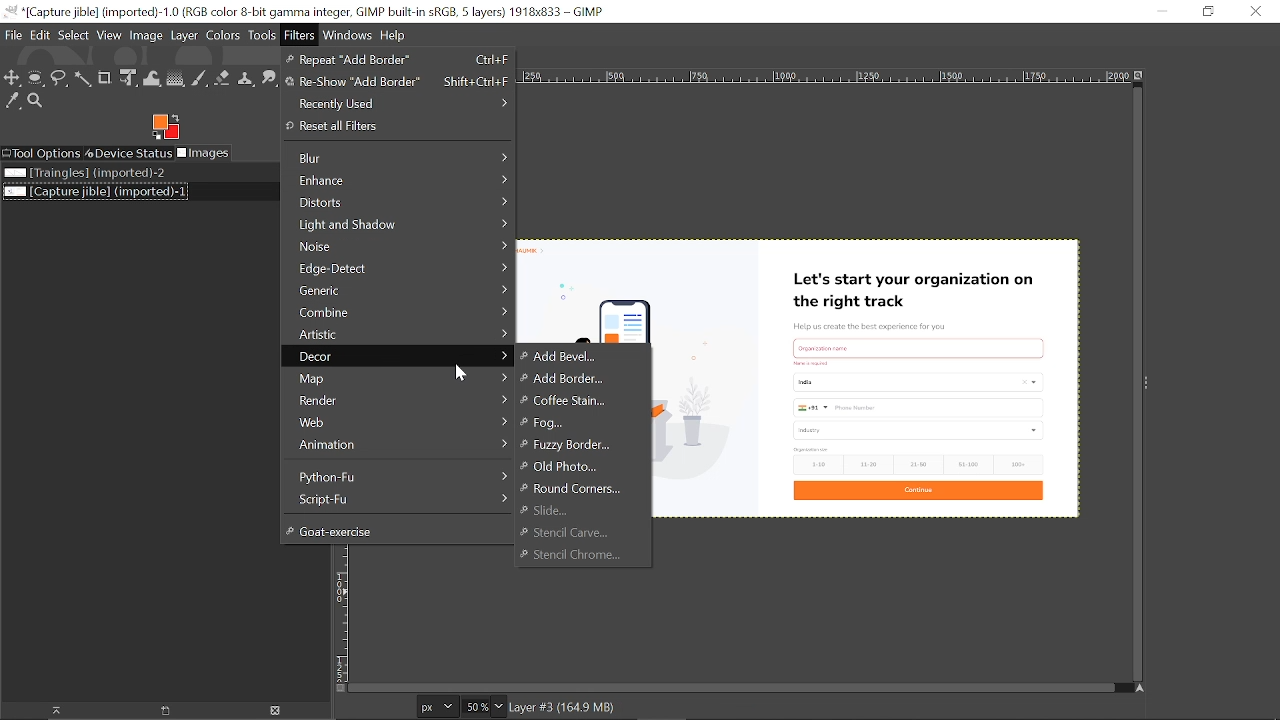 The width and height of the screenshot is (1280, 720). What do you see at coordinates (42, 153) in the screenshot?
I see `Tool options` at bounding box center [42, 153].